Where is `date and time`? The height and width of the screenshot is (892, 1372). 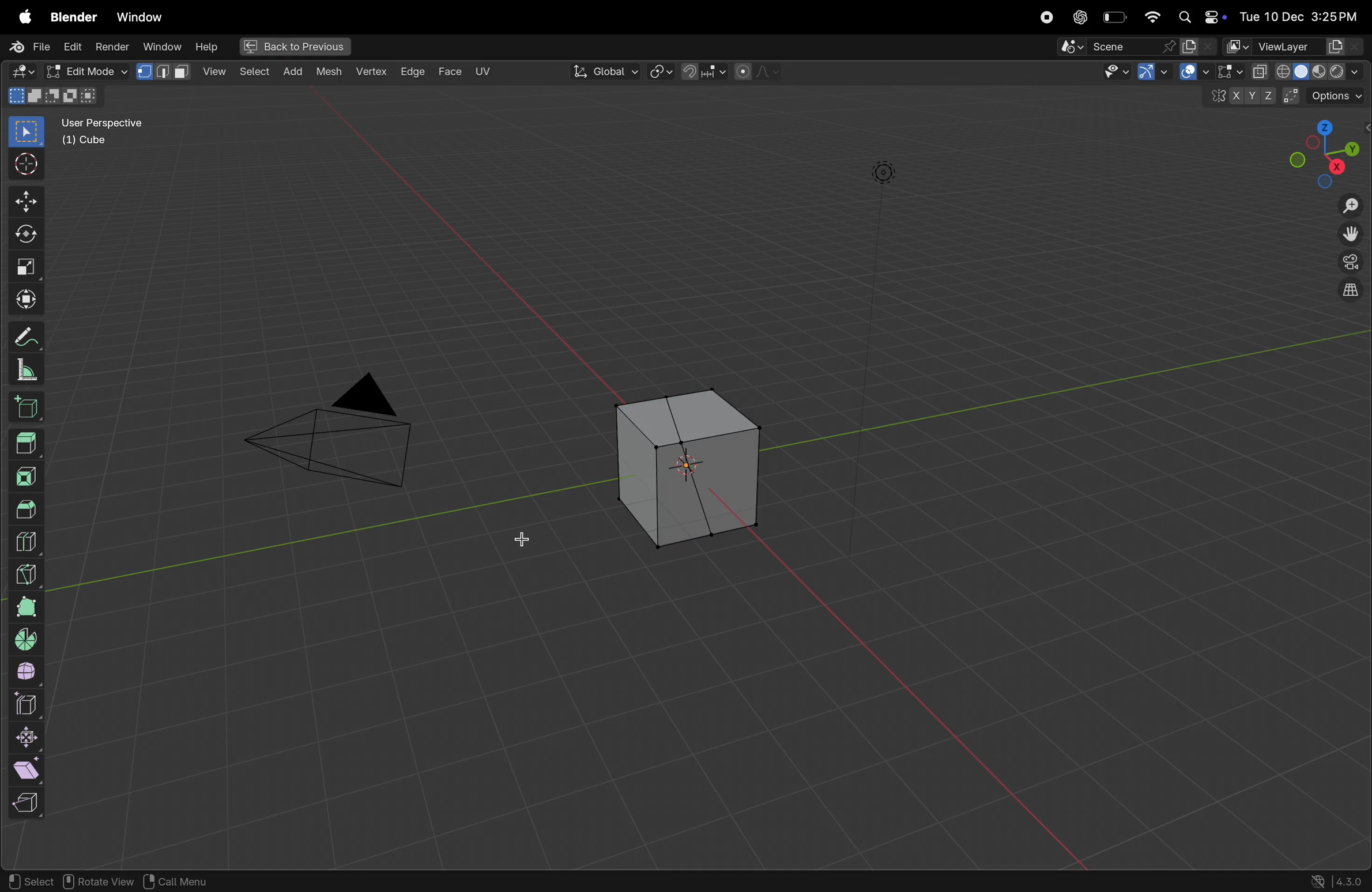 date and time is located at coordinates (1303, 13).